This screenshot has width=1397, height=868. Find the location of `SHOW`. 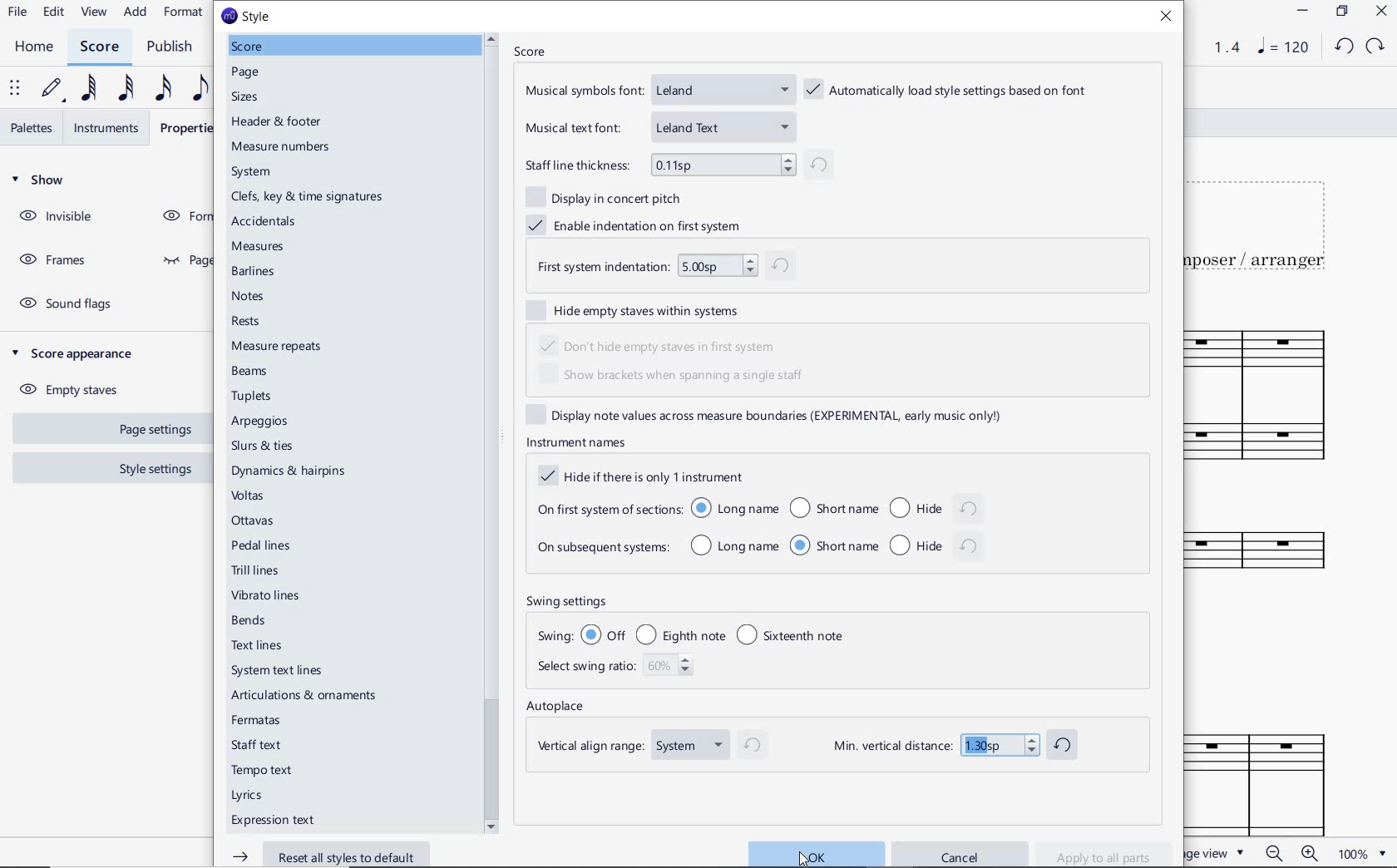

SHOW is located at coordinates (41, 180).